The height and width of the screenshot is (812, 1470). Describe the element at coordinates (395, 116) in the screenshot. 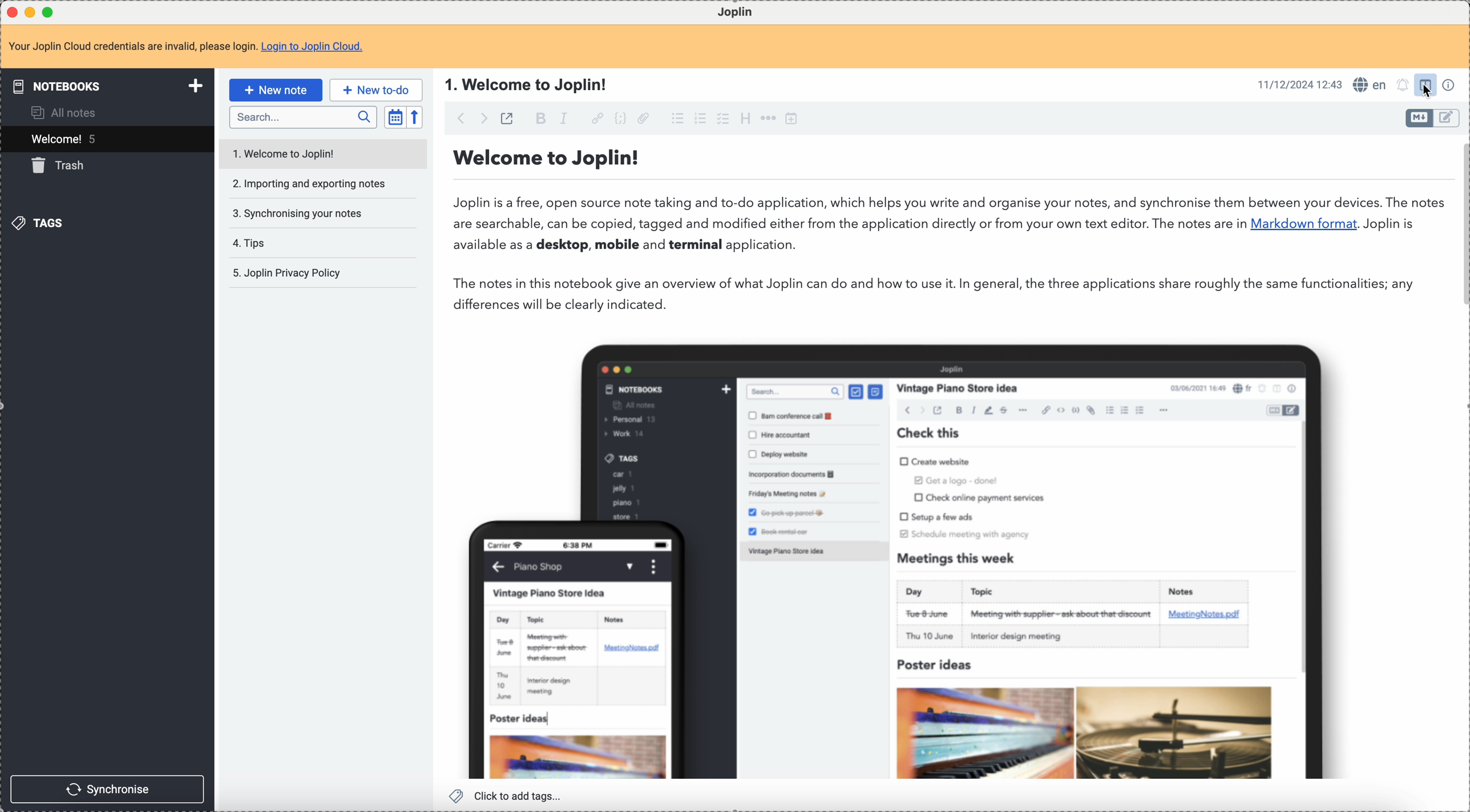

I see `toggle sort order field` at that location.